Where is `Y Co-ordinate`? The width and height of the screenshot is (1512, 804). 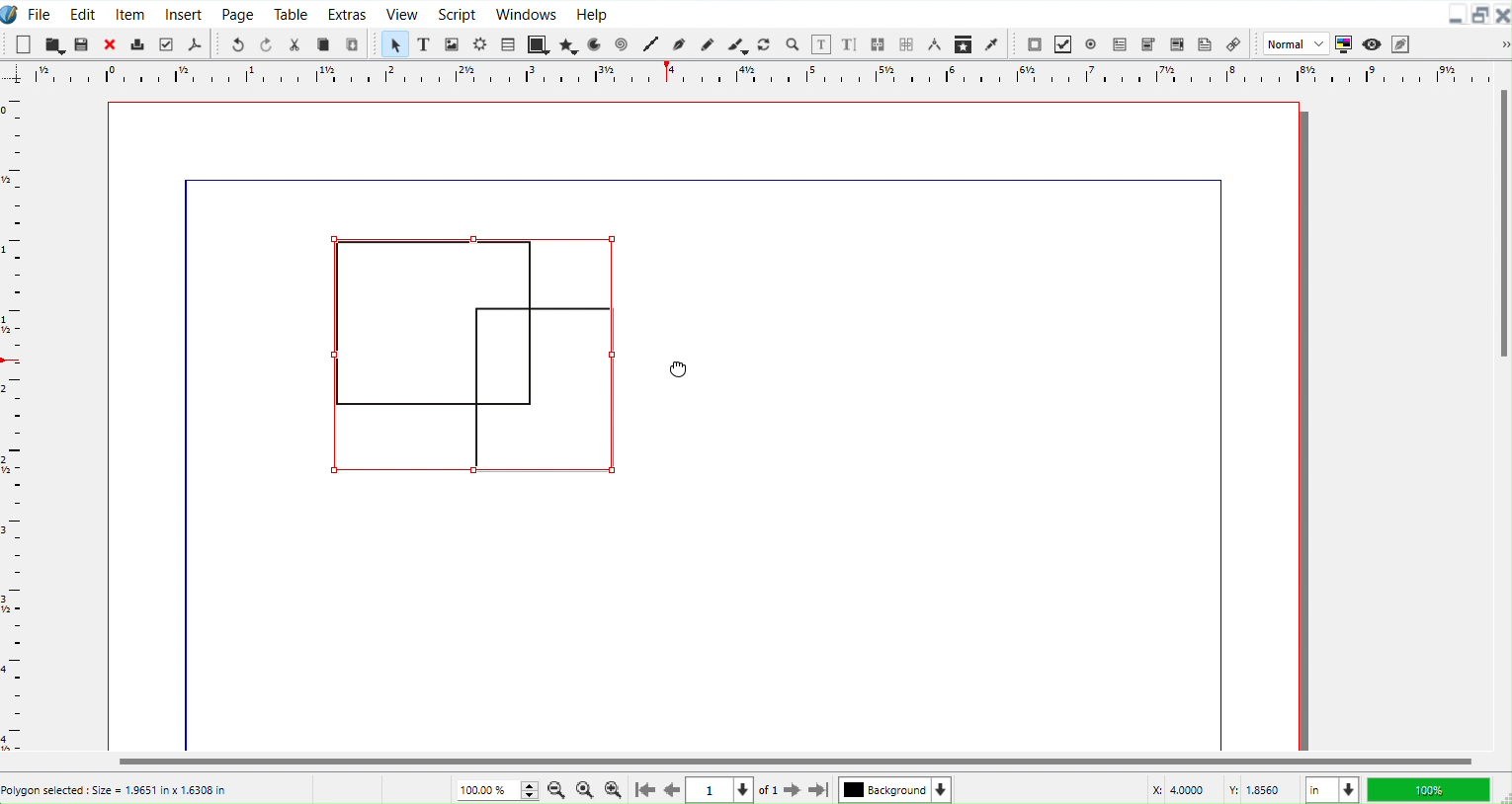 Y Co-ordinate is located at coordinates (1258, 789).